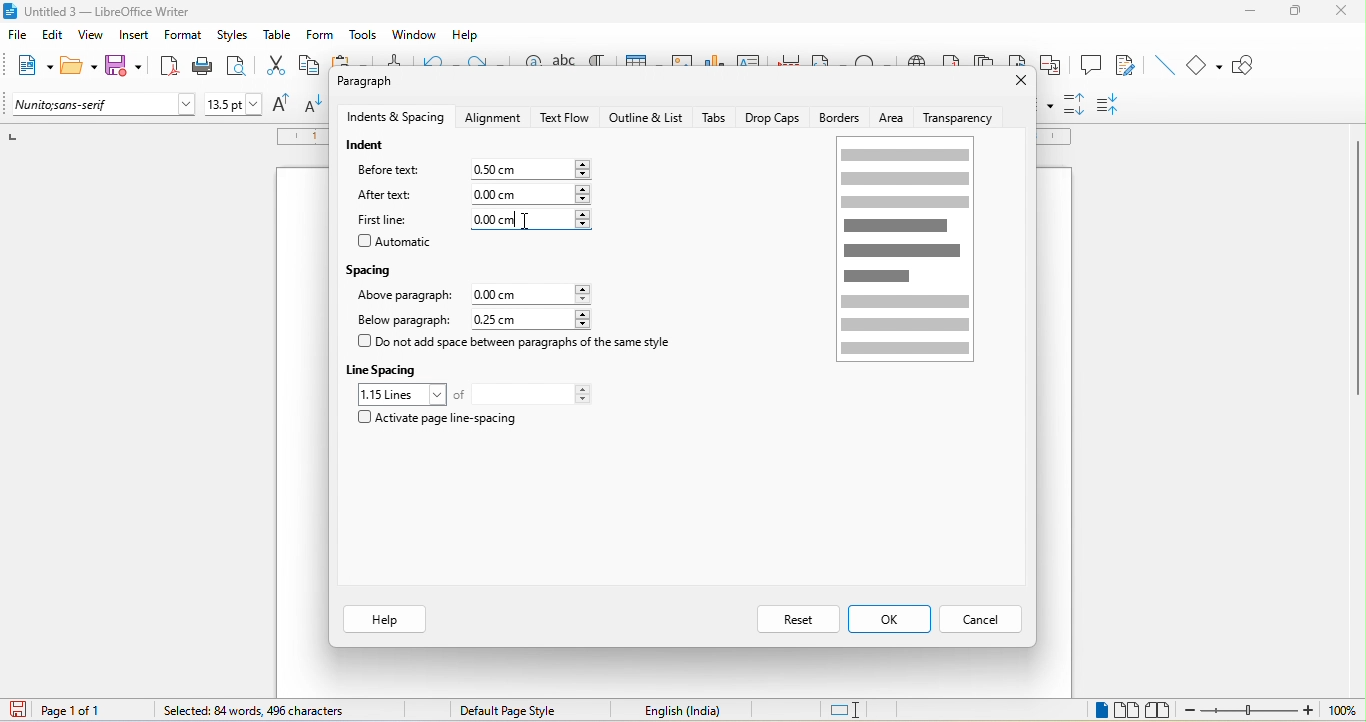 Image resolution: width=1366 pixels, height=722 pixels. What do you see at coordinates (21, 36) in the screenshot?
I see `file` at bounding box center [21, 36].